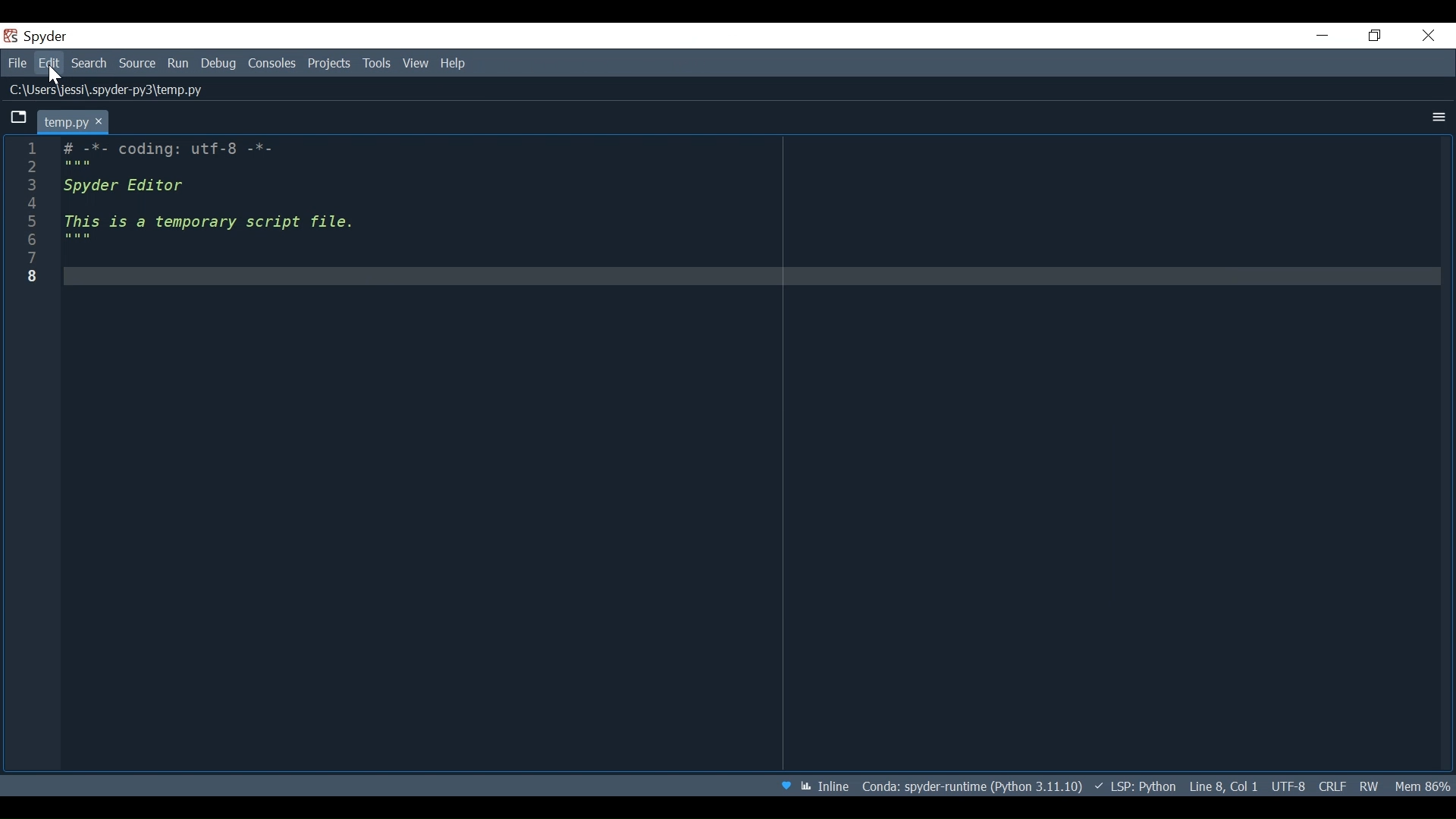 This screenshot has width=1456, height=819. What do you see at coordinates (1437, 118) in the screenshot?
I see `More options` at bounding box center [1437, 118].